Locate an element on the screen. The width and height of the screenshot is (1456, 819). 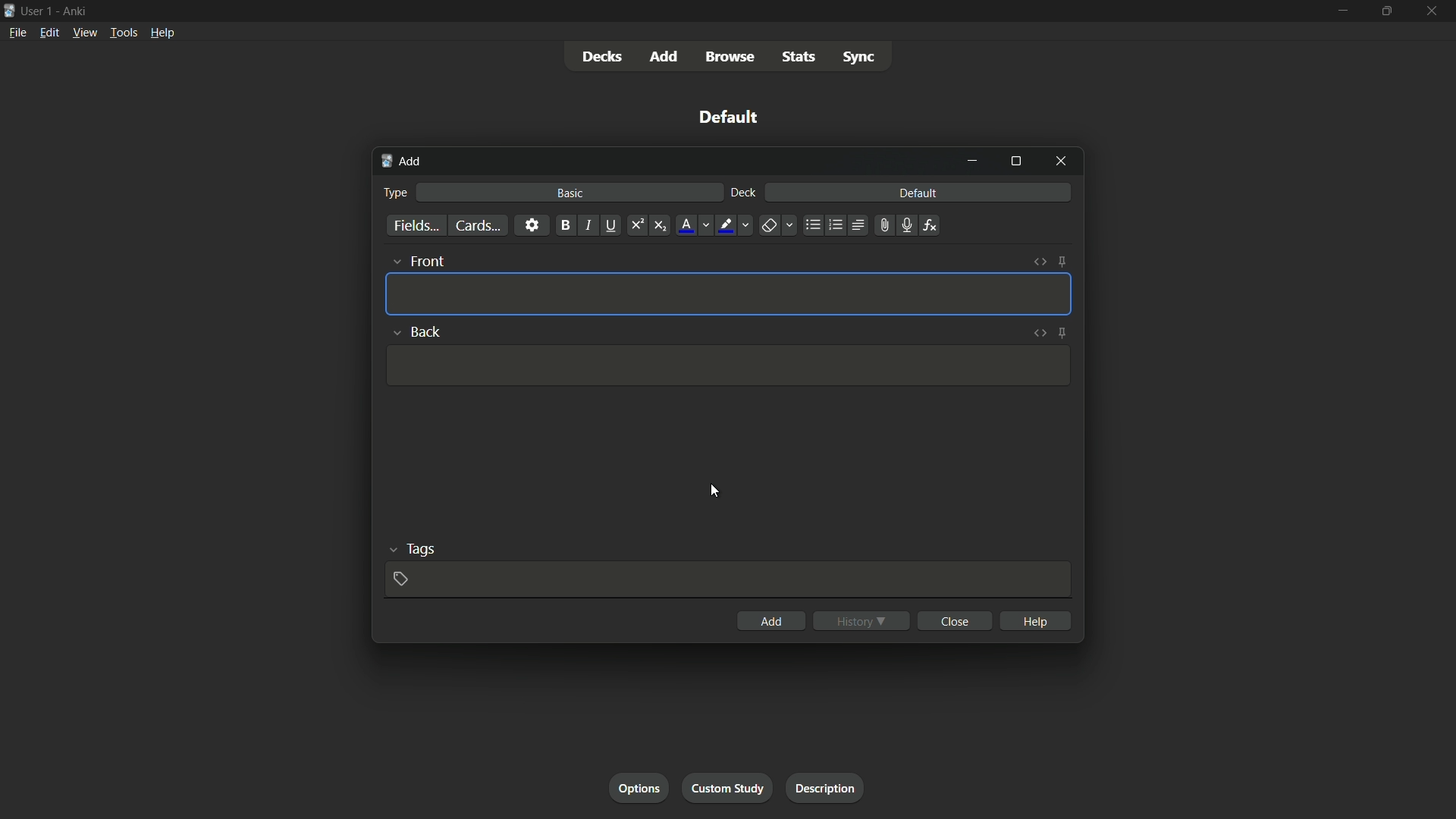
ordered list is located at coordinates (836, 226).